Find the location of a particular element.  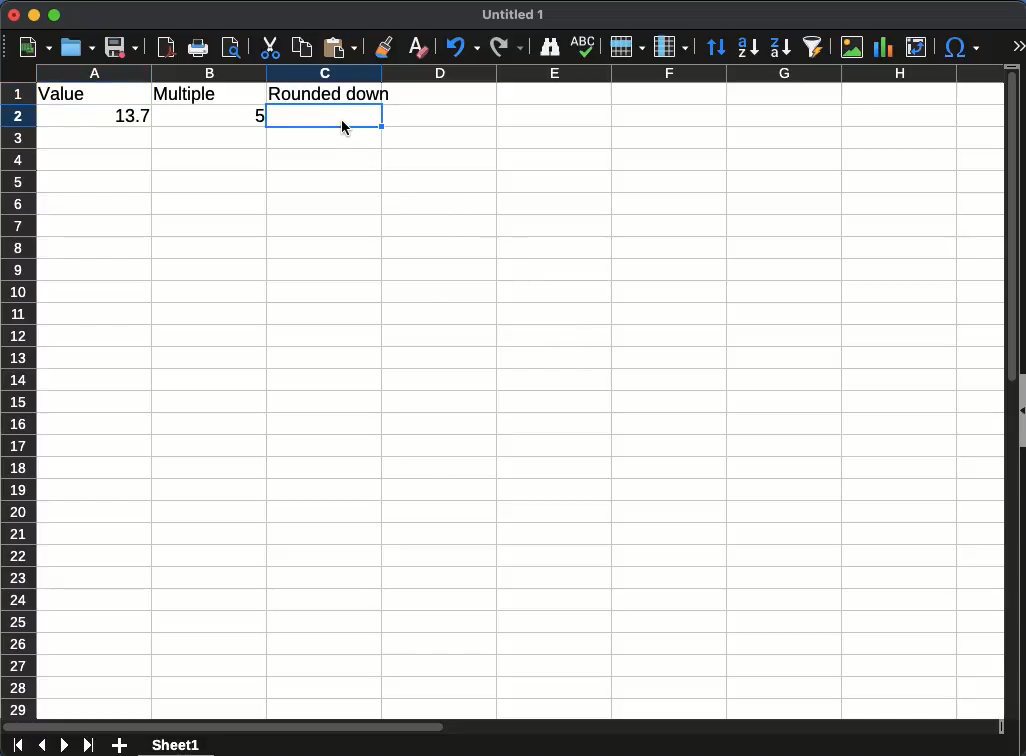

cut is located at coordinates (271, 47).